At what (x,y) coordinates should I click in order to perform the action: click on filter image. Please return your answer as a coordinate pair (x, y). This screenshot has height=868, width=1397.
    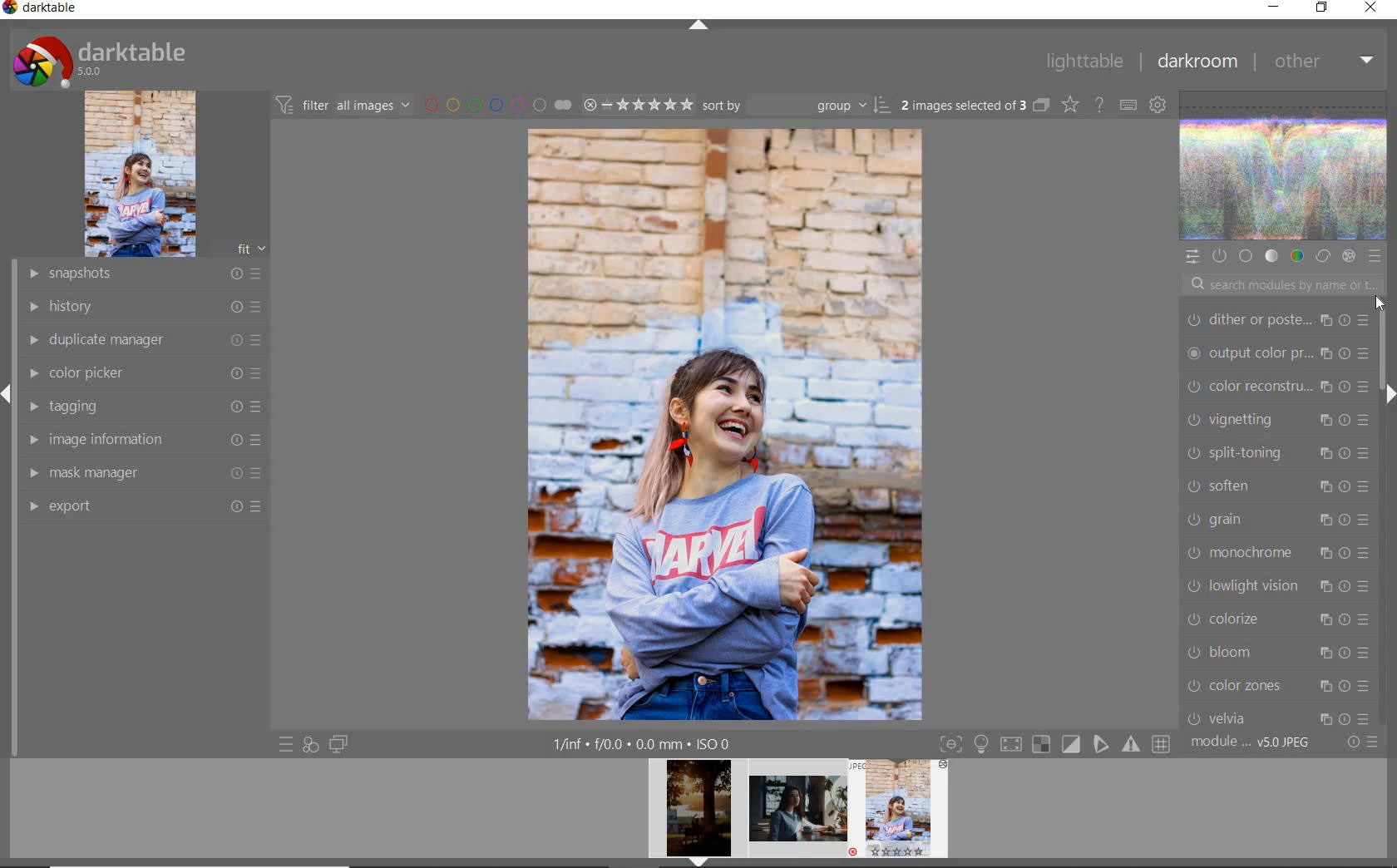
    Looking at the image, I should click on (343, 104).